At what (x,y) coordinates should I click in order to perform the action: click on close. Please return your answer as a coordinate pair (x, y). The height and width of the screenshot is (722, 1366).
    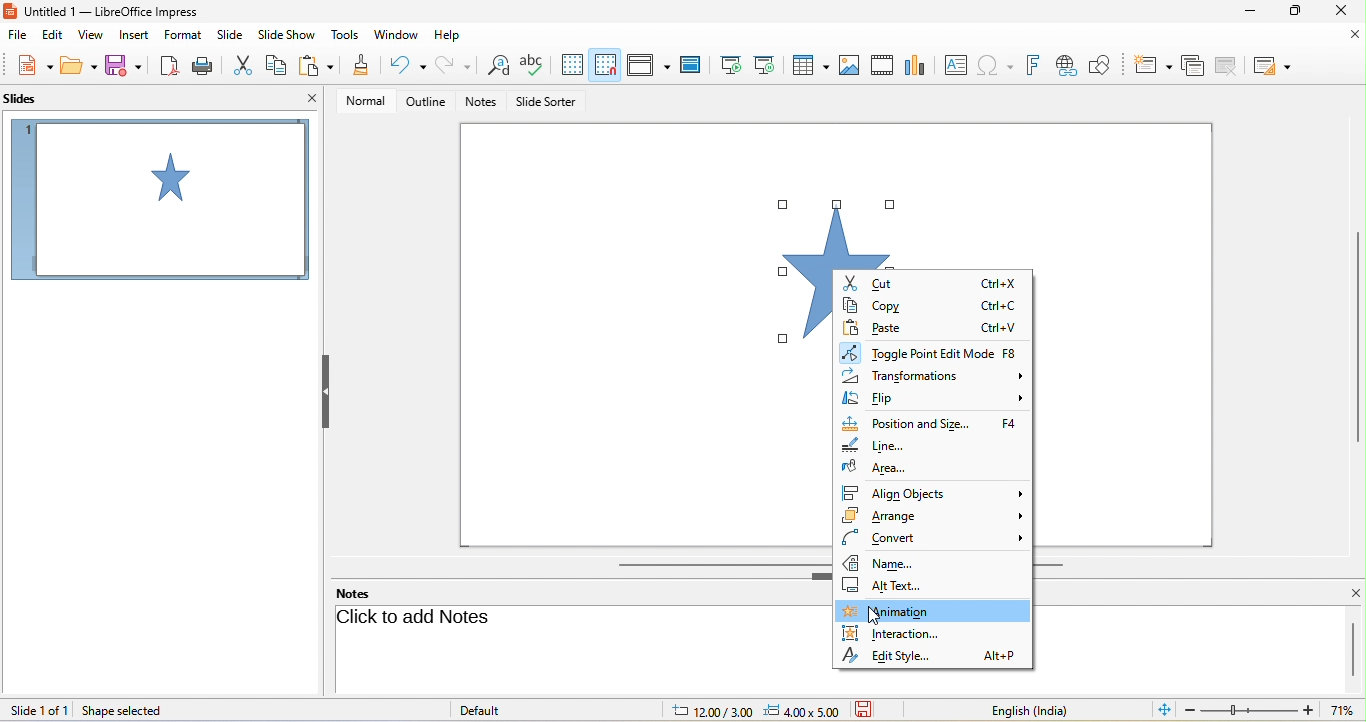
    Looking at the image, I should click on (1351, 36).